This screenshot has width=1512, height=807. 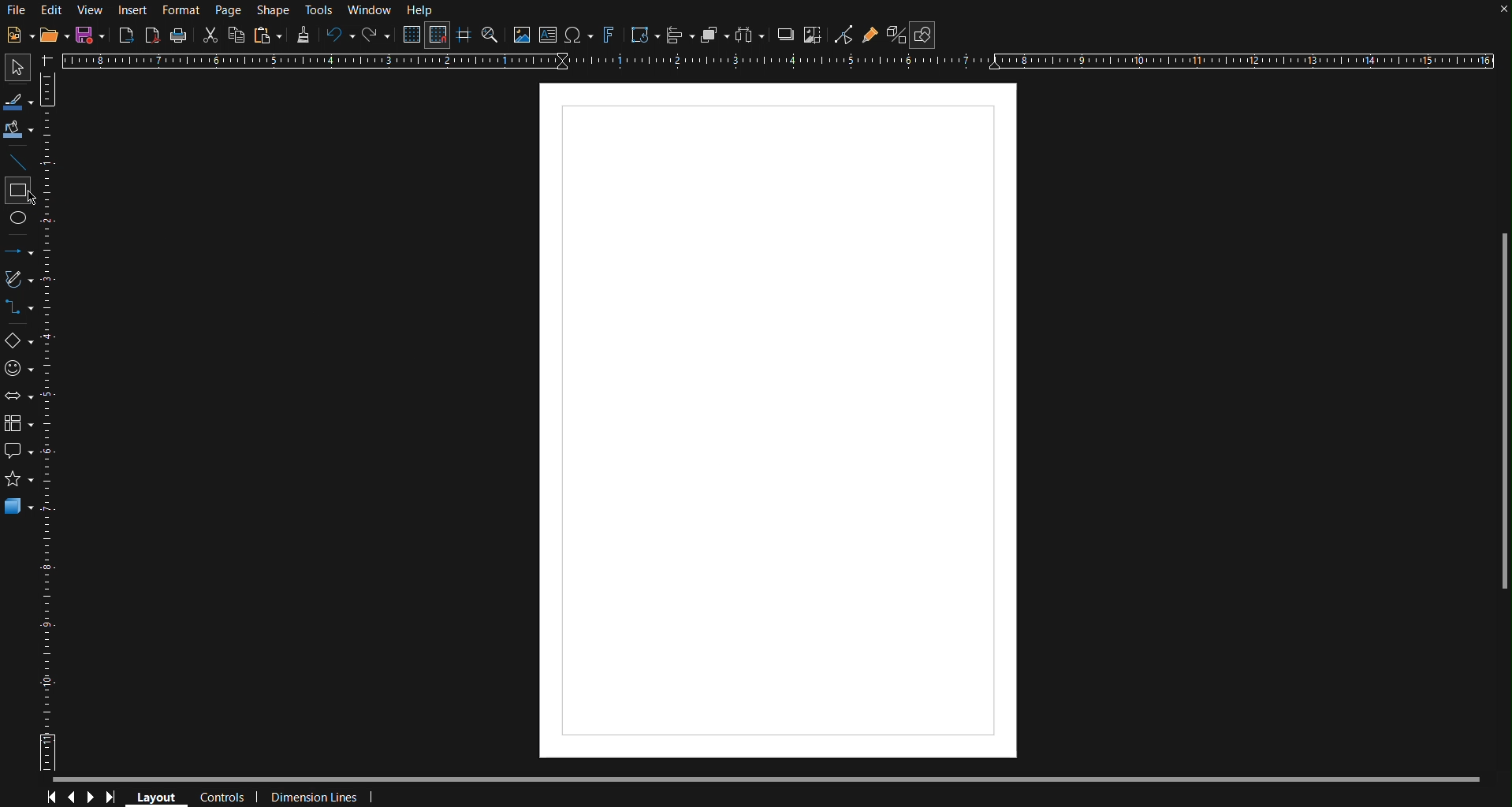 I want to click on Last, so click(x=115, y=798).